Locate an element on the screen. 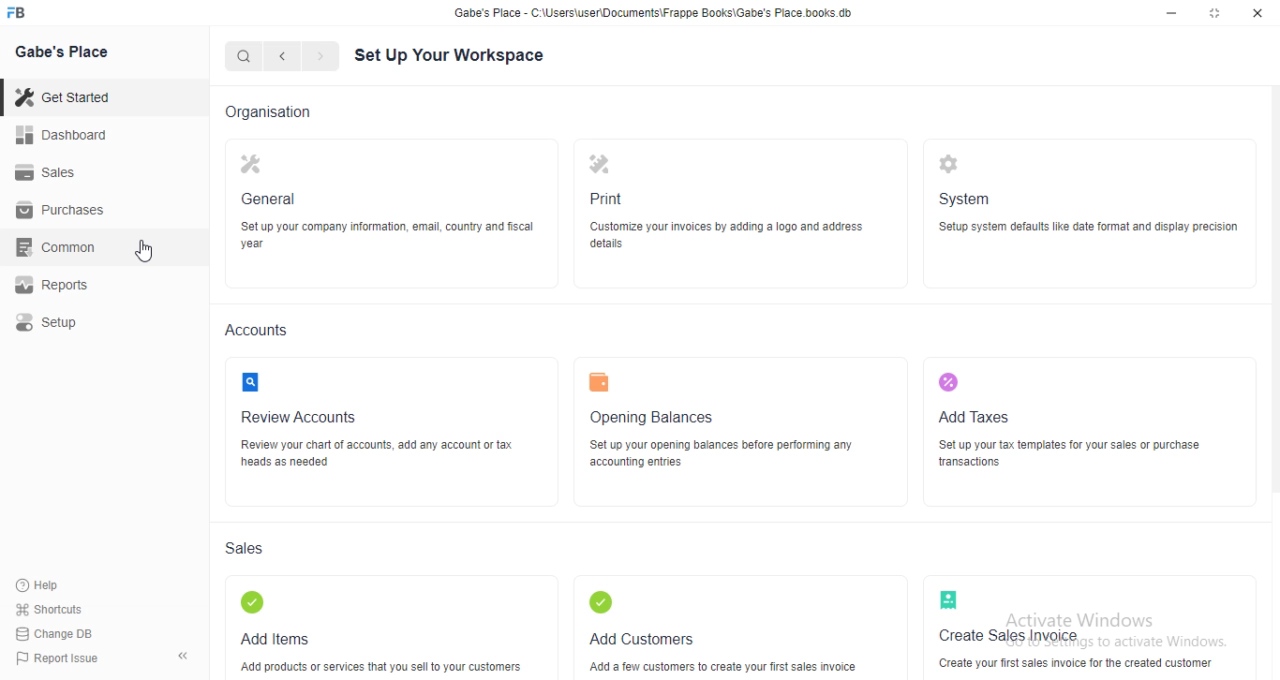  ‘Report Issue is located at coordinates (61, 658).